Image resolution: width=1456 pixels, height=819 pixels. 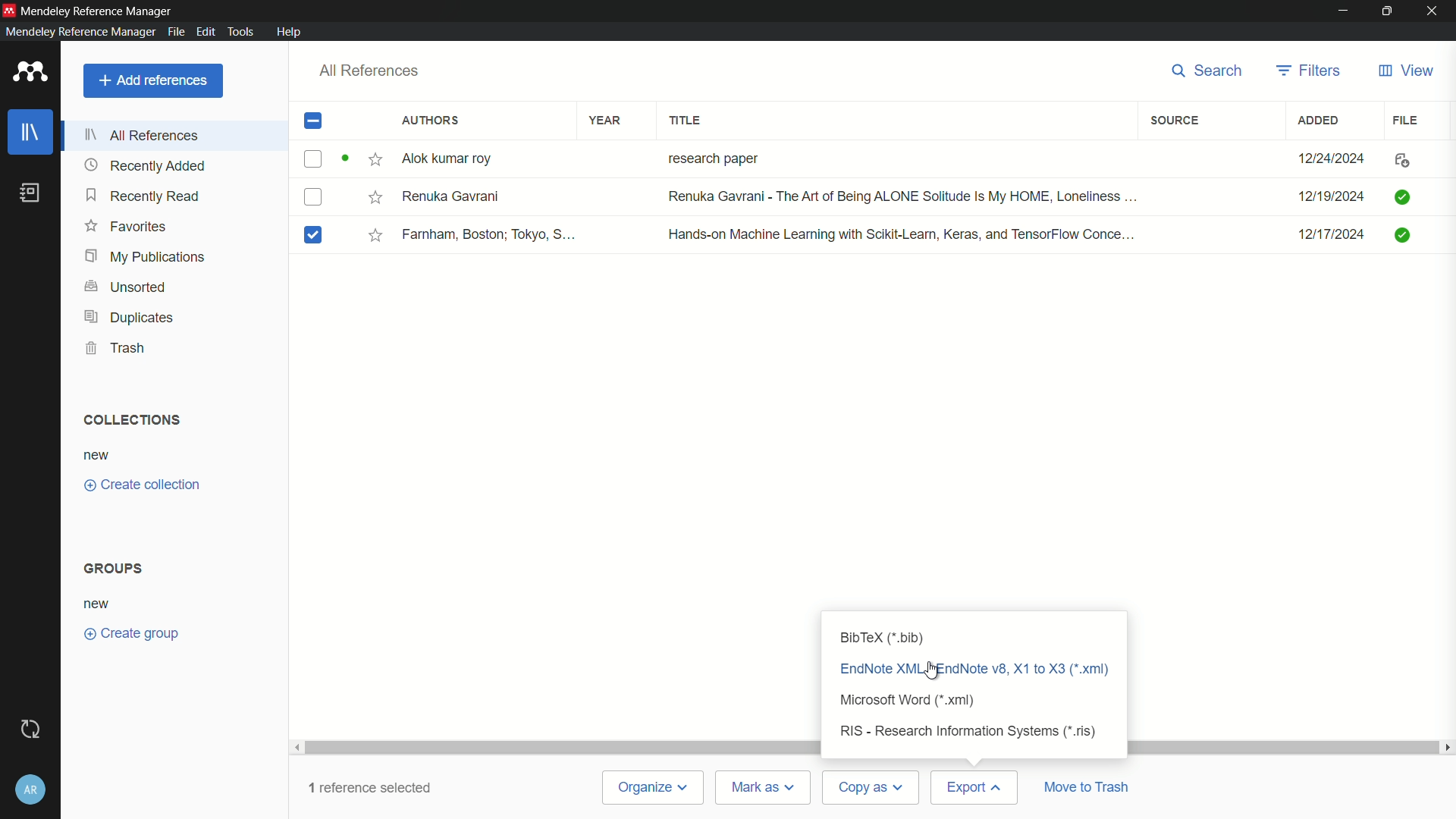 I want to click on scroll right, so click(x=1447, y=747).